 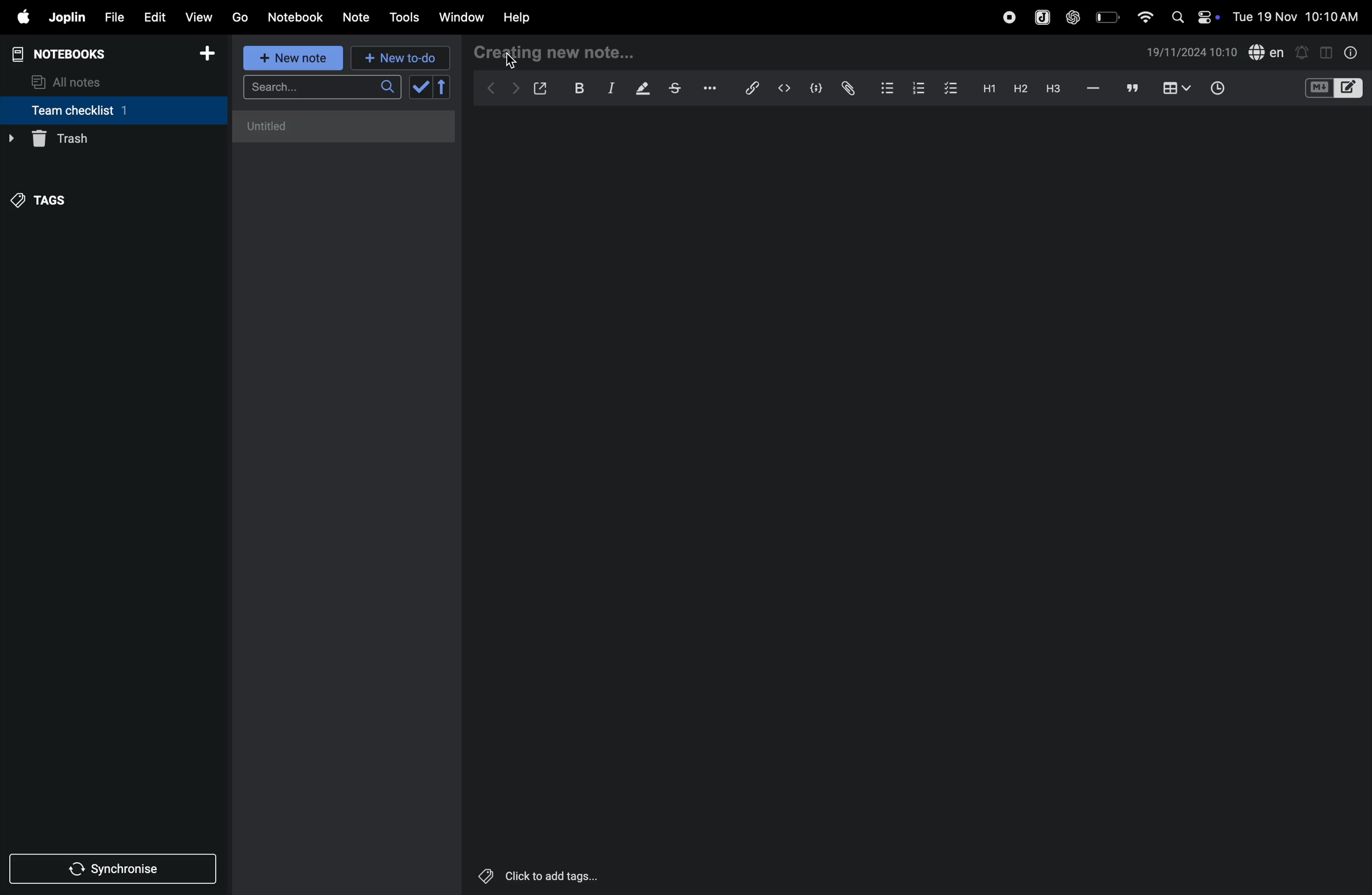 I want to click on on/off, so click(x=1209, y=14).